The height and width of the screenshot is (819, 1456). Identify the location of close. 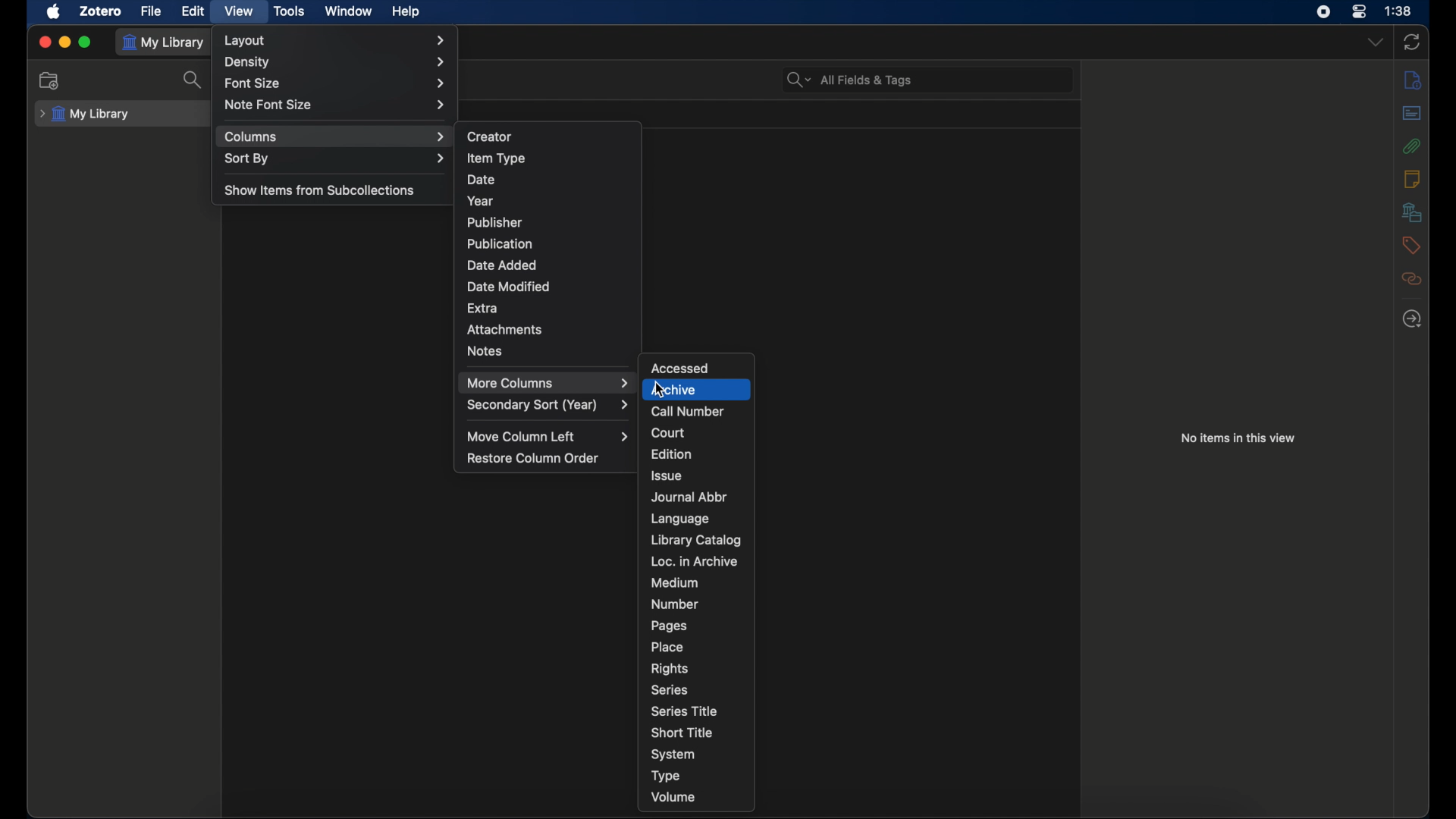
(44, 42).